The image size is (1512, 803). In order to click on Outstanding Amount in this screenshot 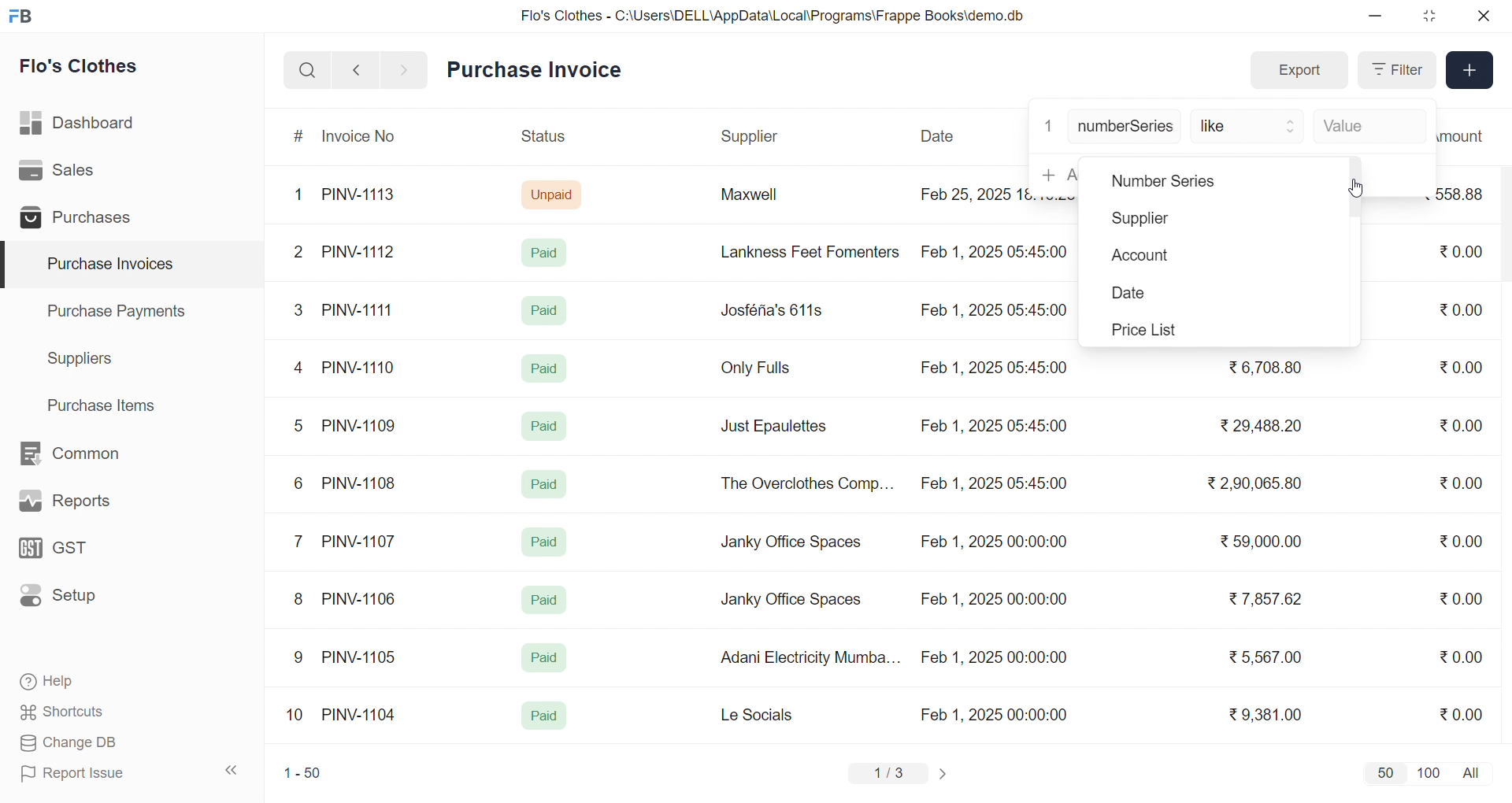, I will do `click(1469, 135)`.